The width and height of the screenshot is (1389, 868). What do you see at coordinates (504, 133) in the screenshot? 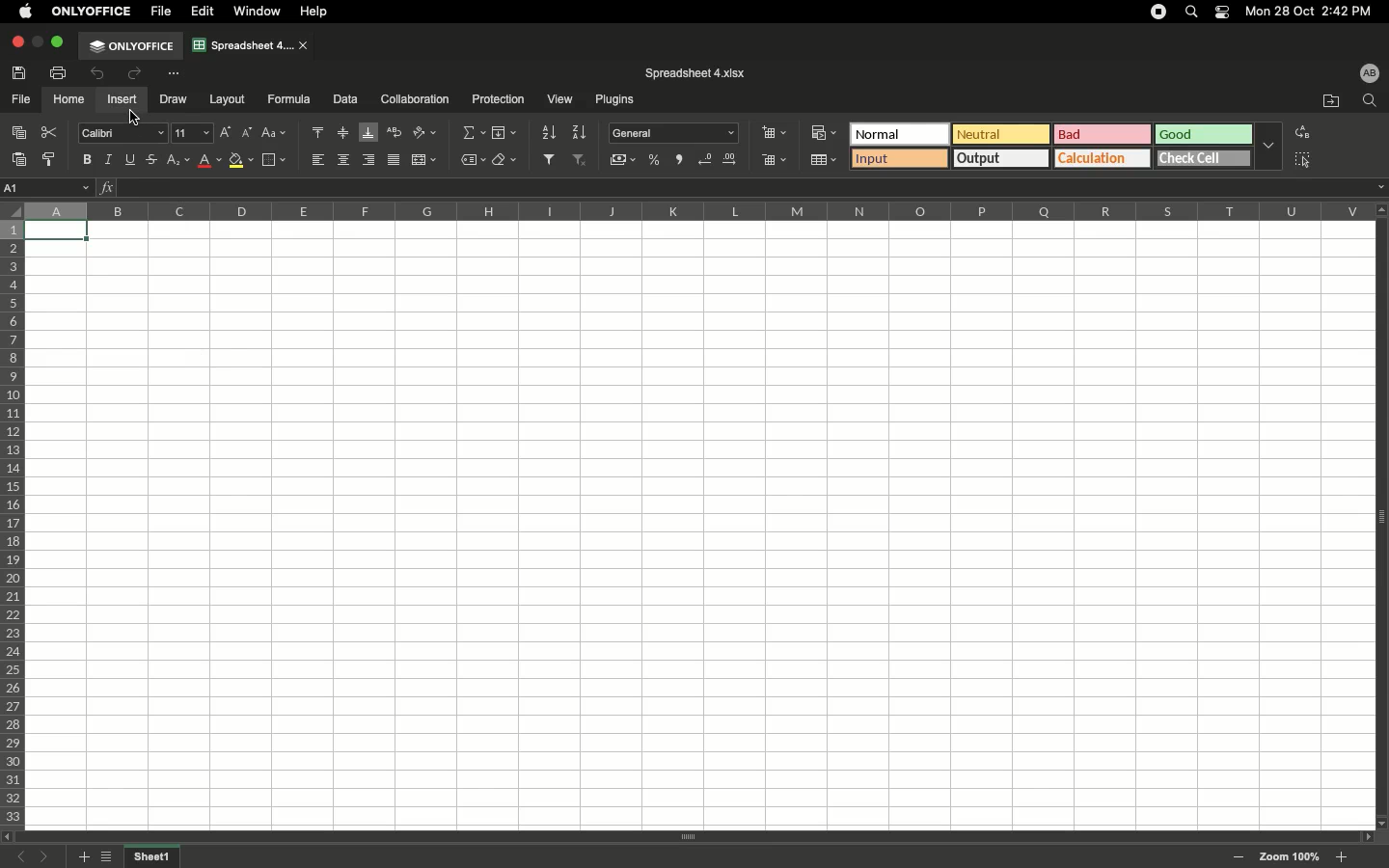
I see `Fill` at bounding box center [504, 133].